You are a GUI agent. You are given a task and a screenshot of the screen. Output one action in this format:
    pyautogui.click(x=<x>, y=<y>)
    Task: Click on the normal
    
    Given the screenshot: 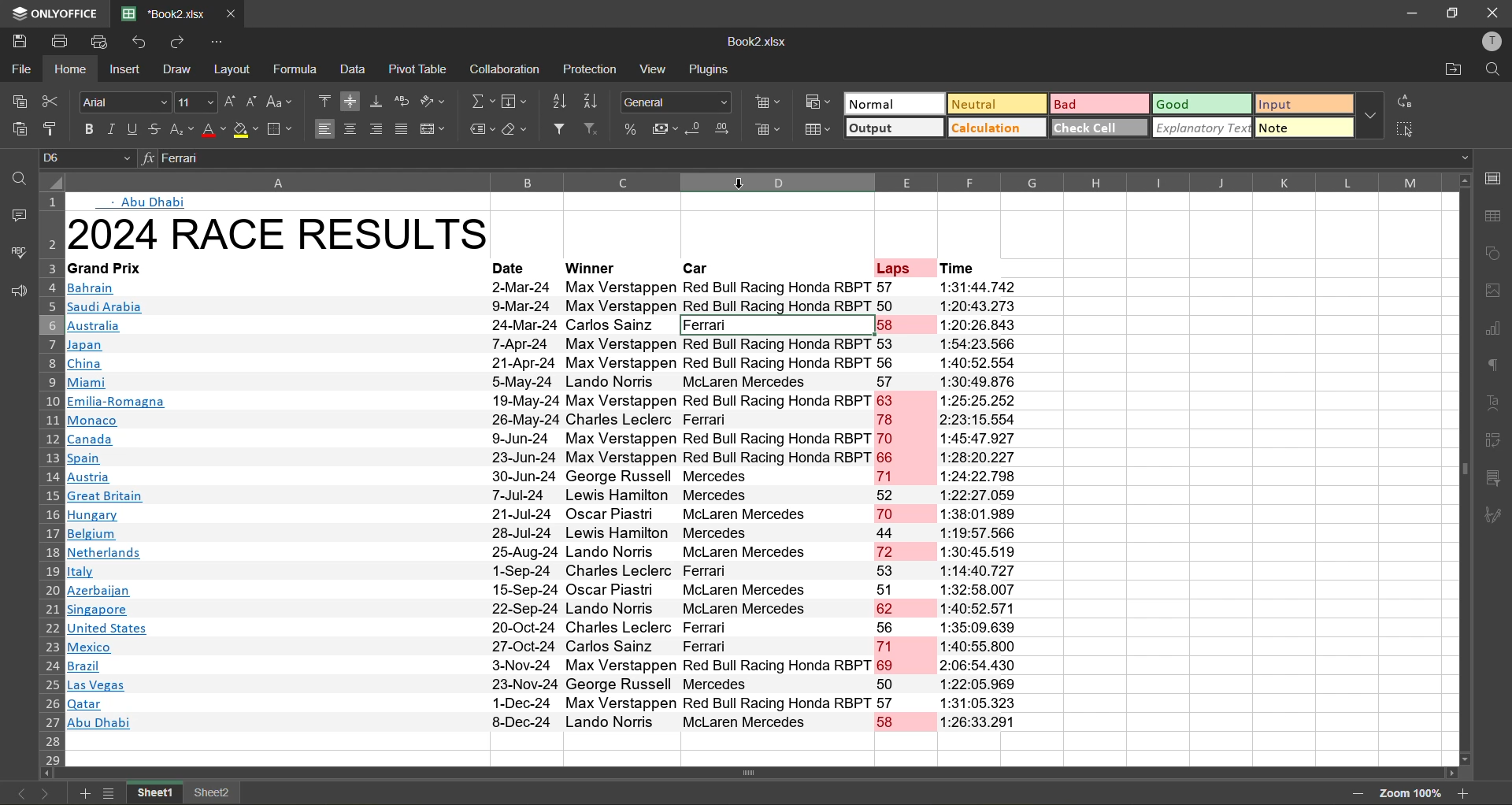 What is the action you would take?
    pyautogui.click(x=896, y=103)
    